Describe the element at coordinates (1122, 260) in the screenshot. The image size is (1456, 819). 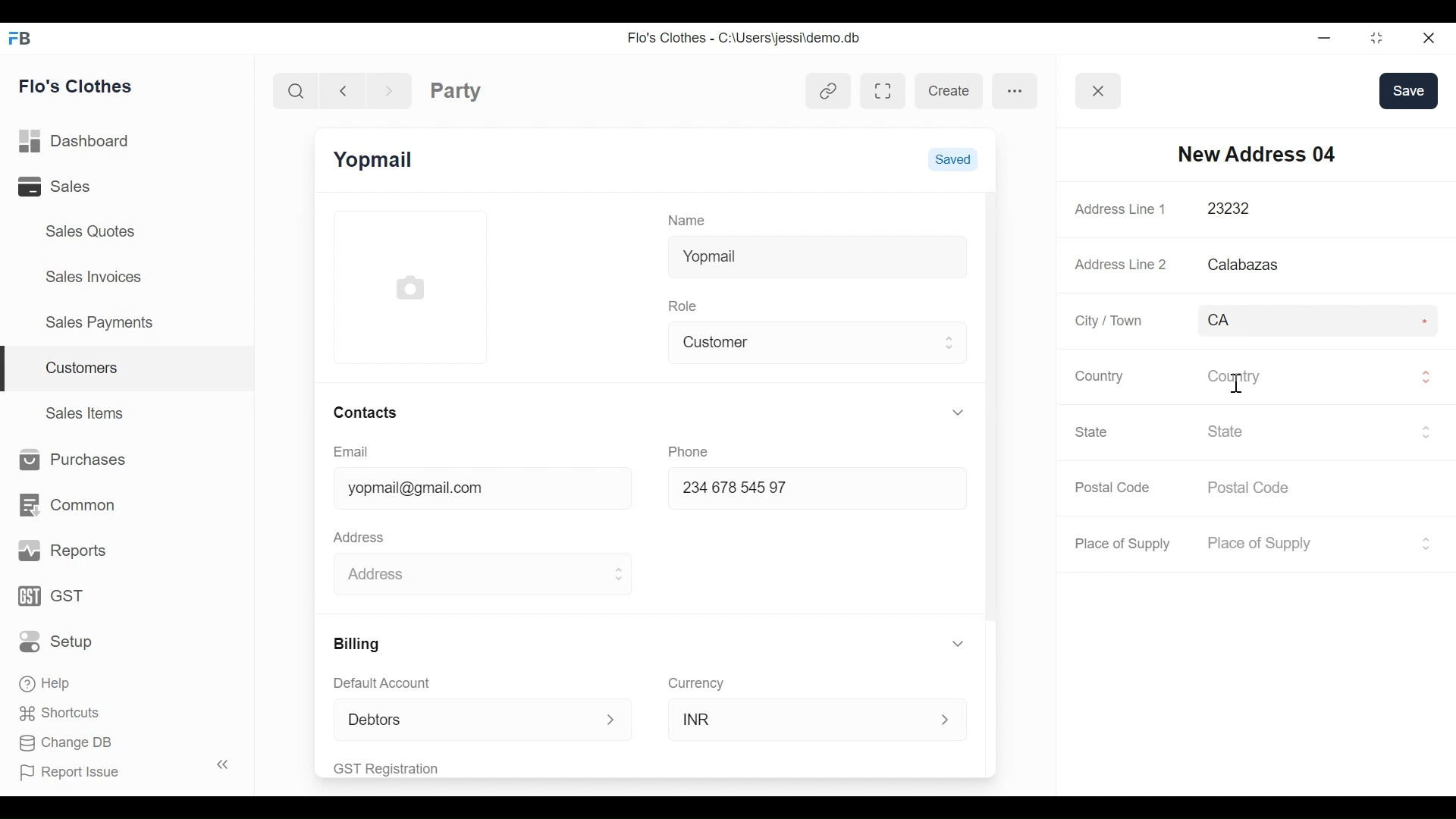
I see `Address Line 2` at that location.